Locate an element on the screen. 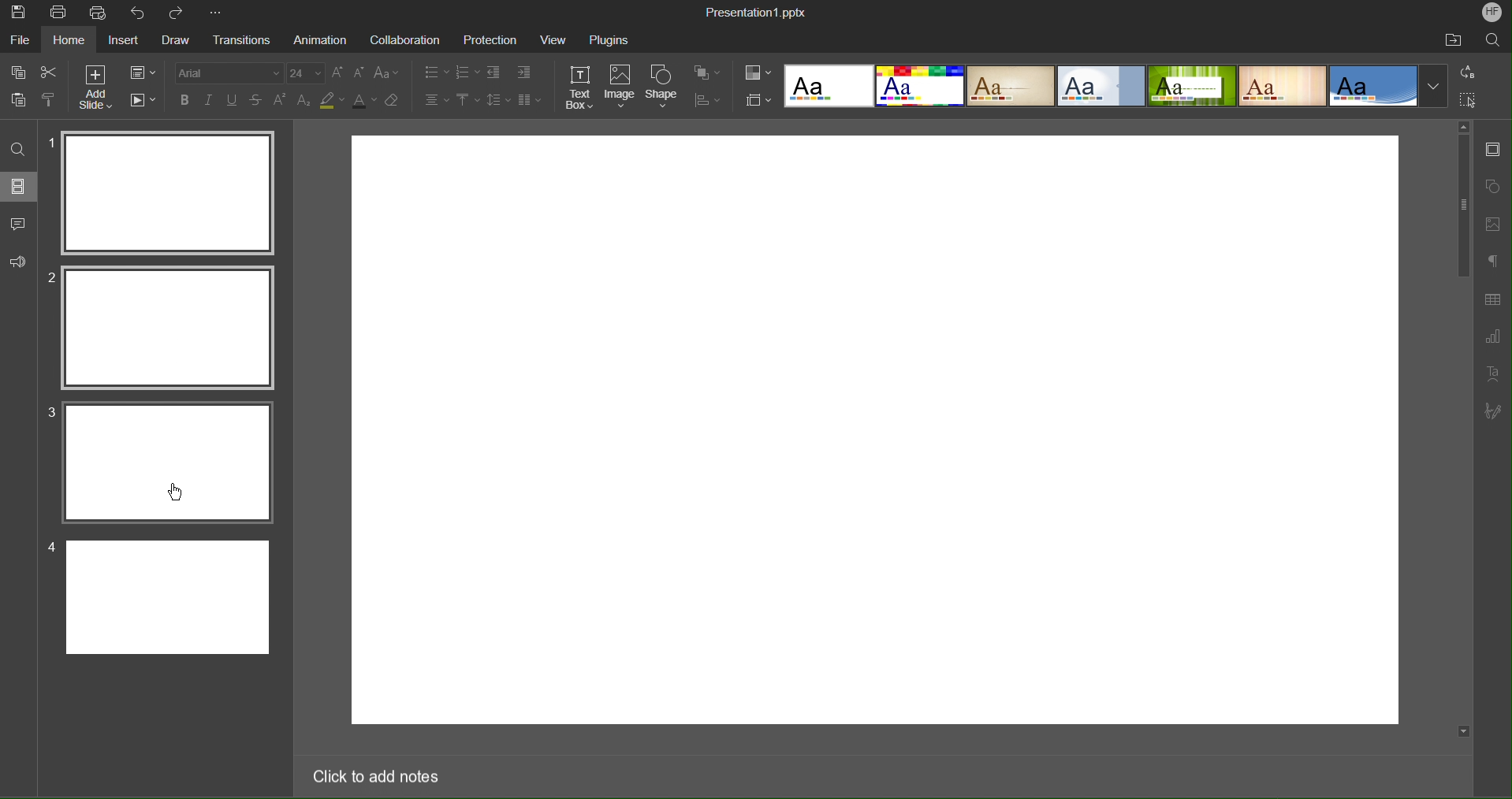  Slide Settings is located at coordinates (756, 99).